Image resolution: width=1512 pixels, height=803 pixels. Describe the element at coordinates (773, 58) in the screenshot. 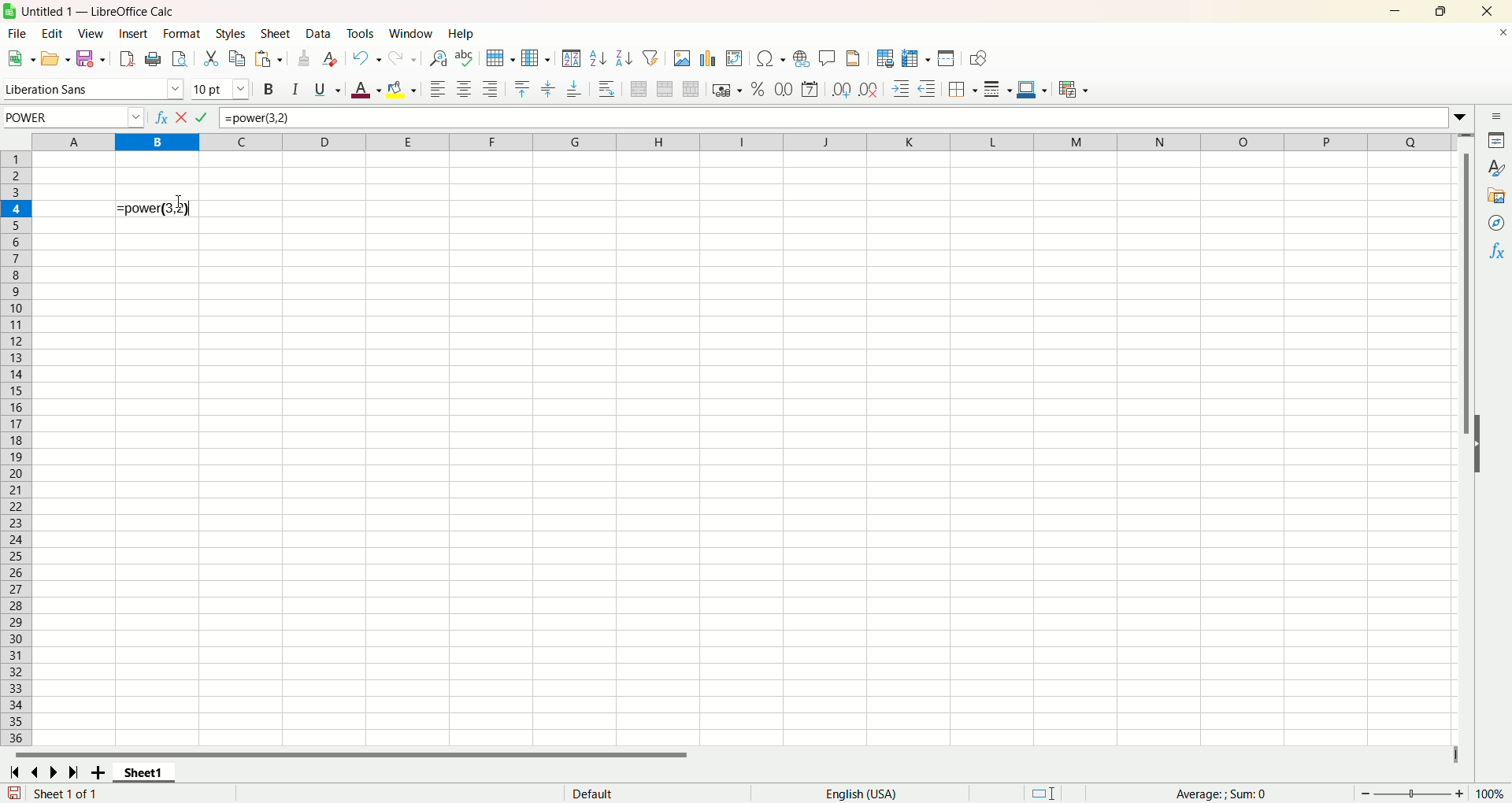

I see `insert special character` at that location.